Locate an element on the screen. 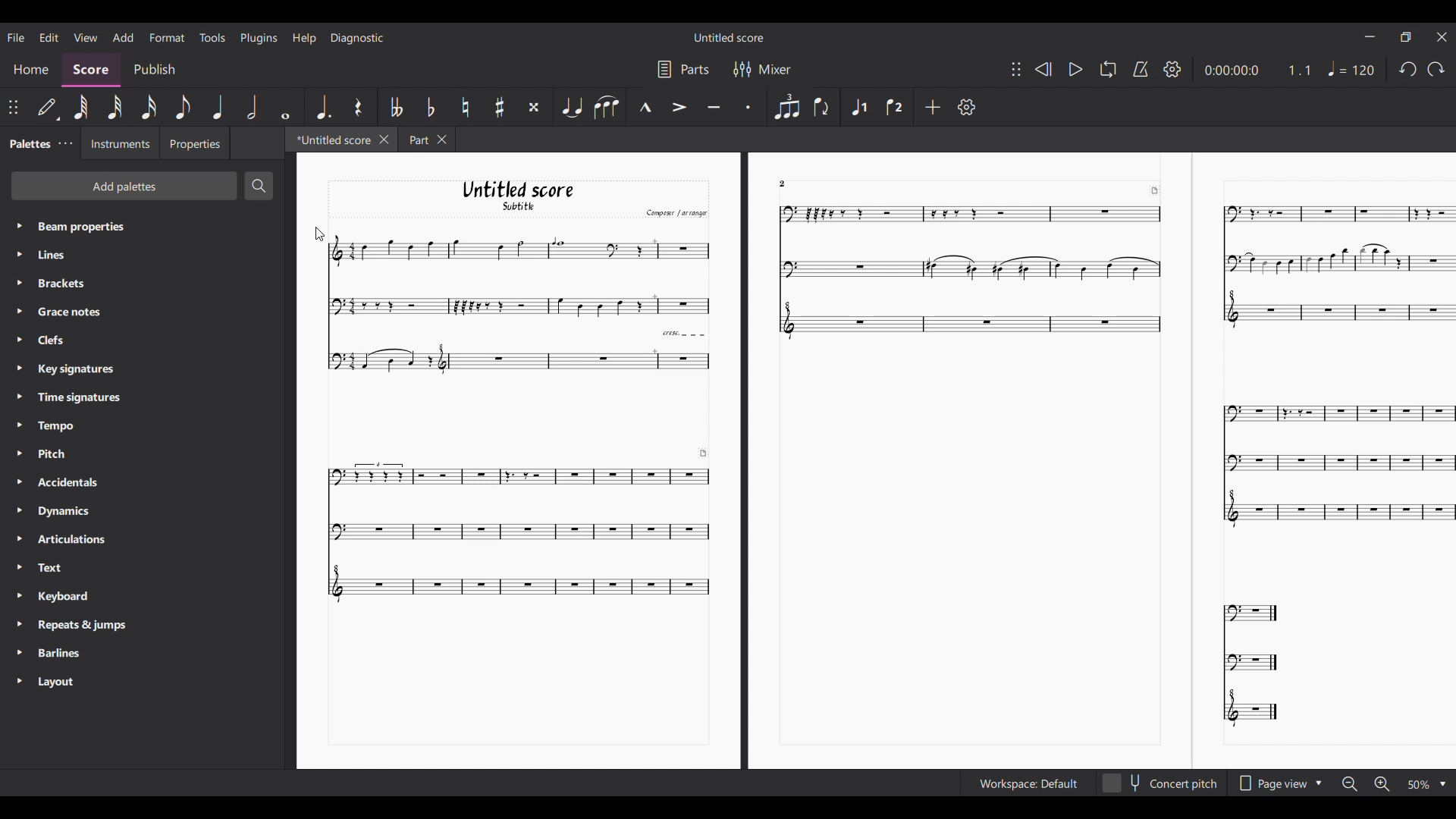 The width and height of the screenshot is (1456, 819).  is located at coordinates (21, 628).